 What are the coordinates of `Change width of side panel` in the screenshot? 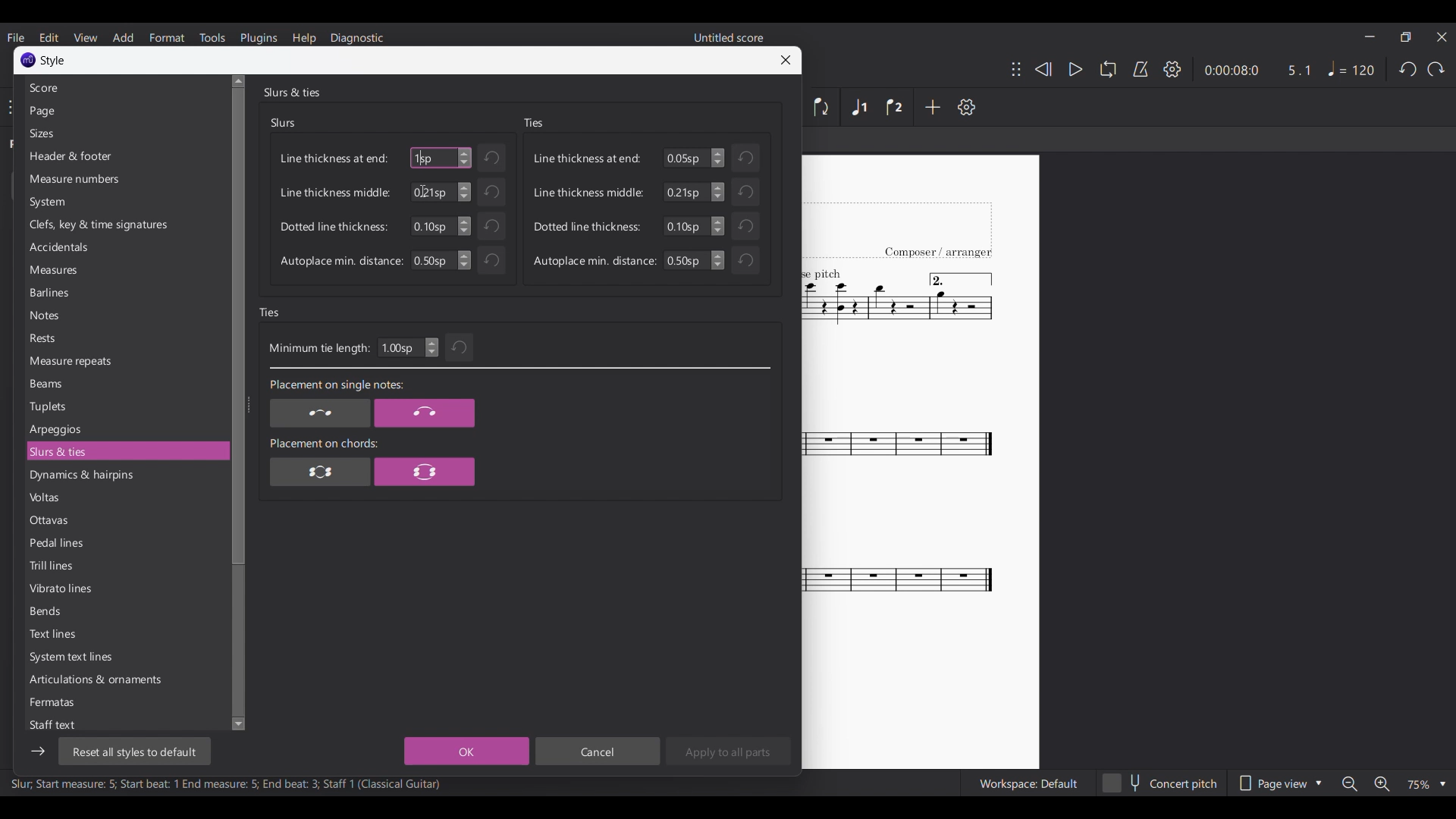 It's located at (248, 404).